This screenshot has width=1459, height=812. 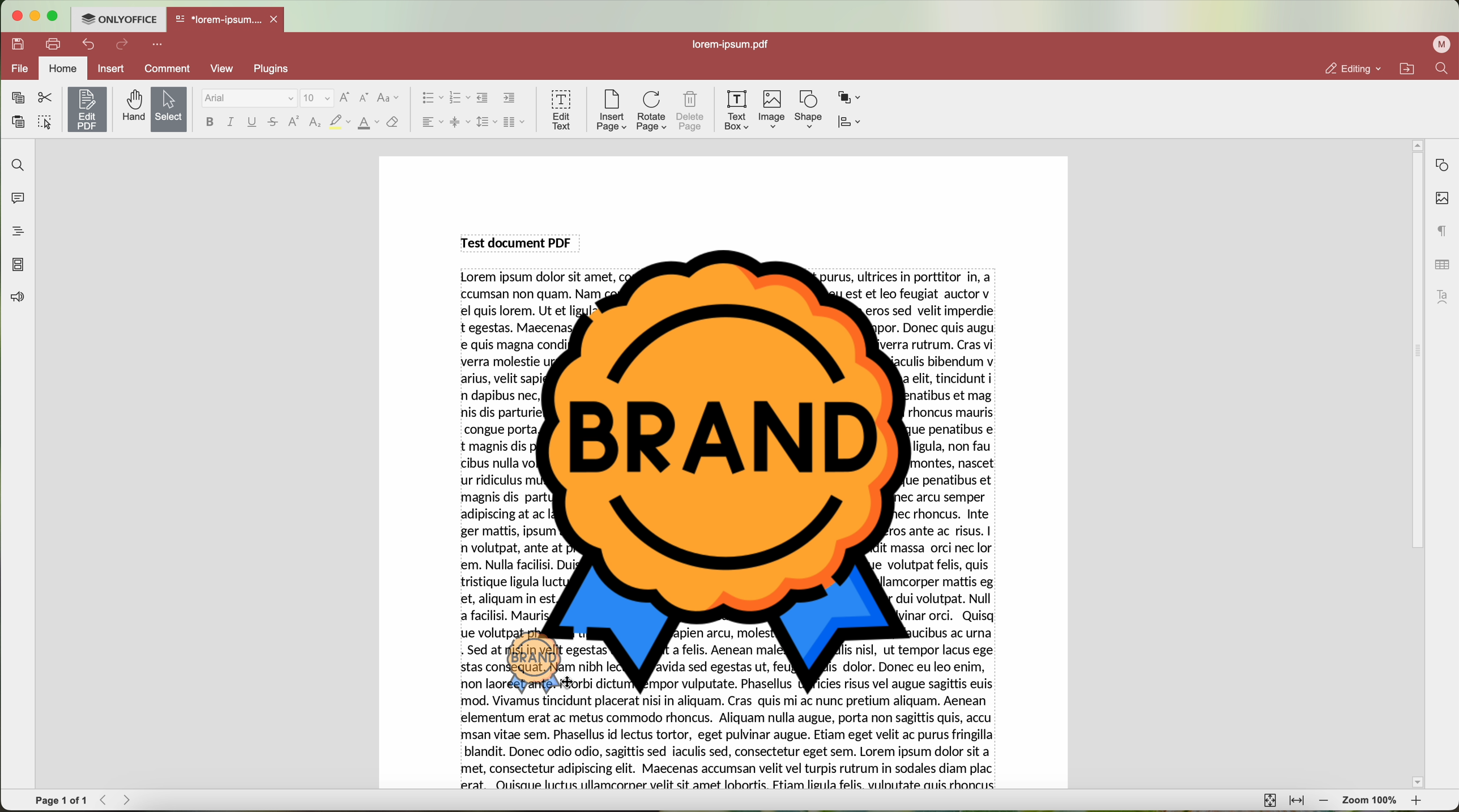 What do you see at coordinates (18, 98) in the screenshot?
I see `copy` at bounding box center [18, 98].